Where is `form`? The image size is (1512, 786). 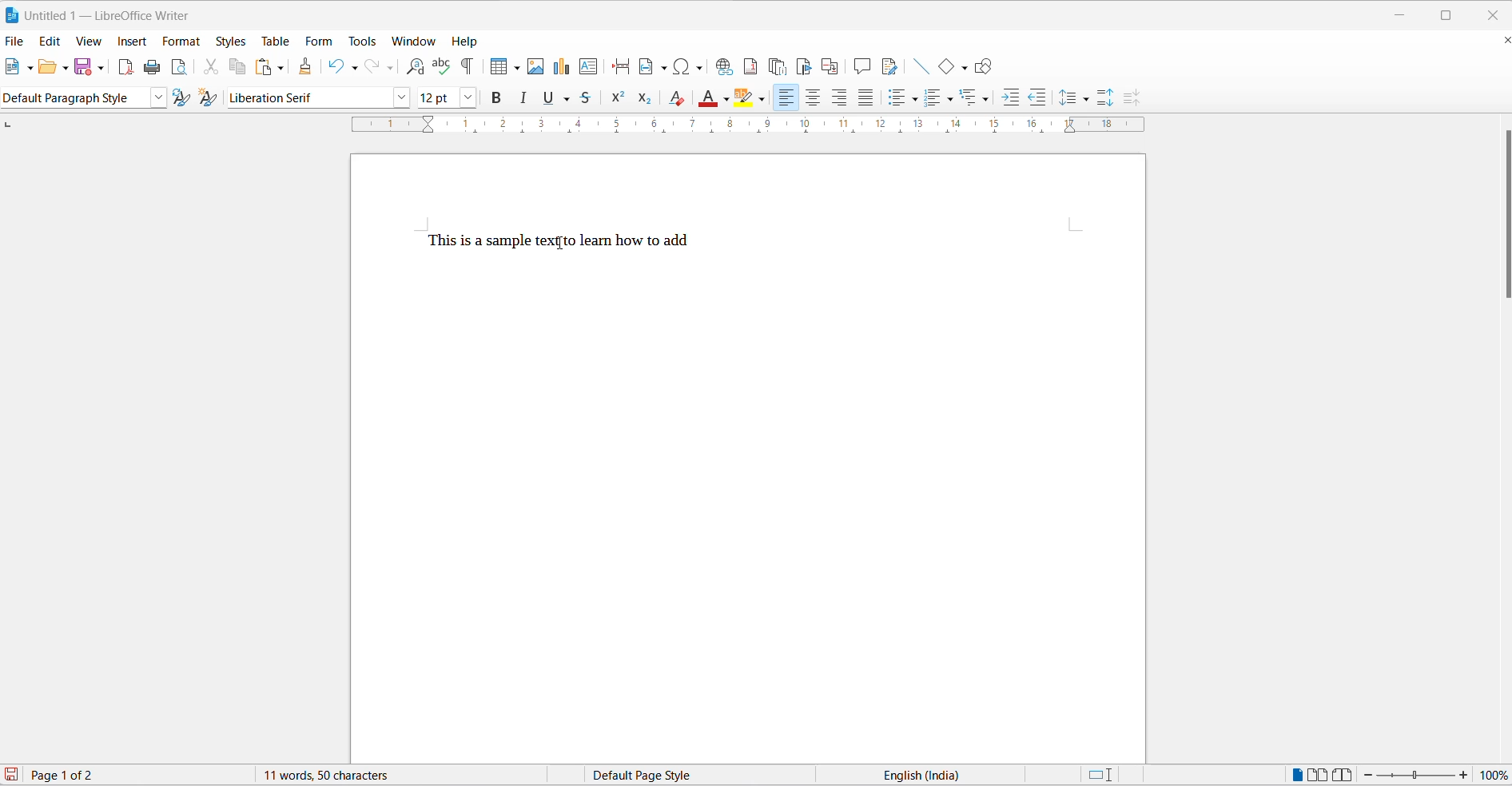 form is located at coordinates (321, 39).